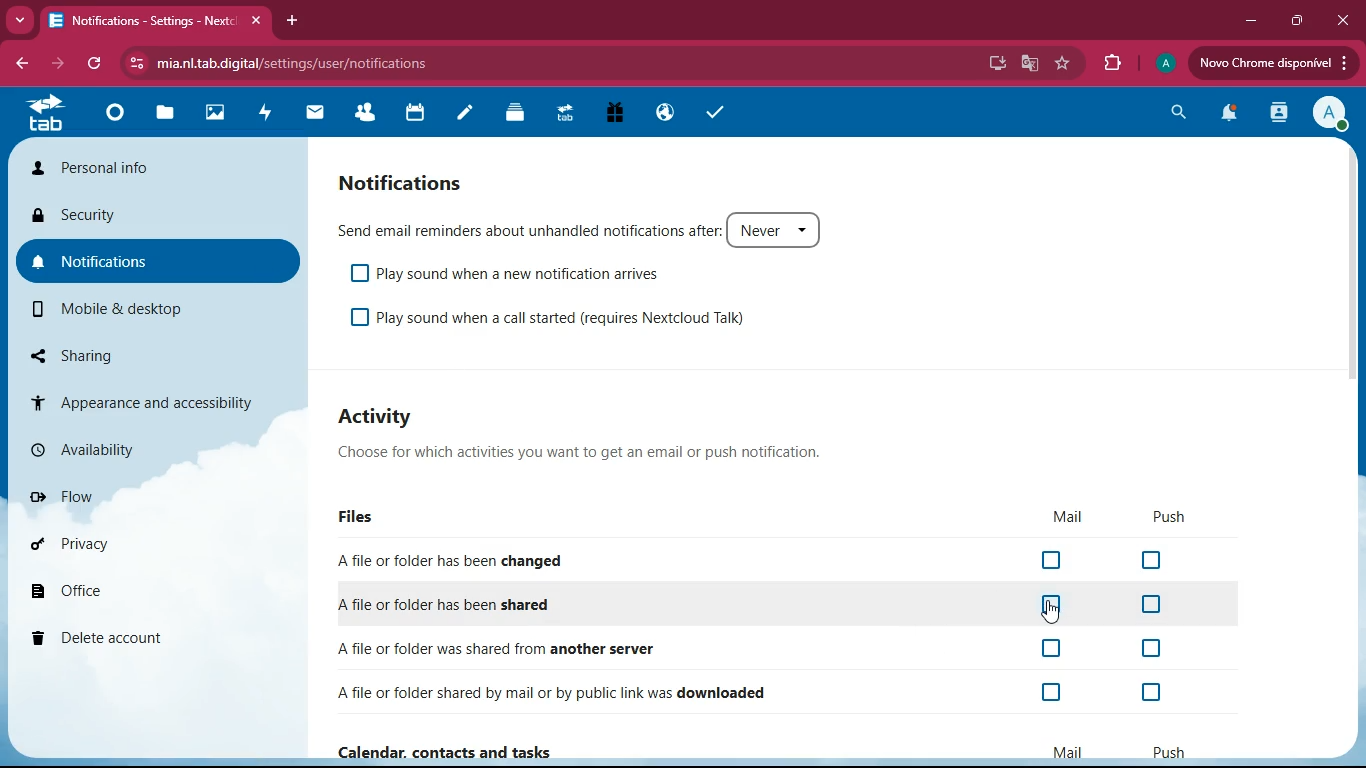 The image size is (1366, 768). I want to click on maximize, so click(1295, 21).